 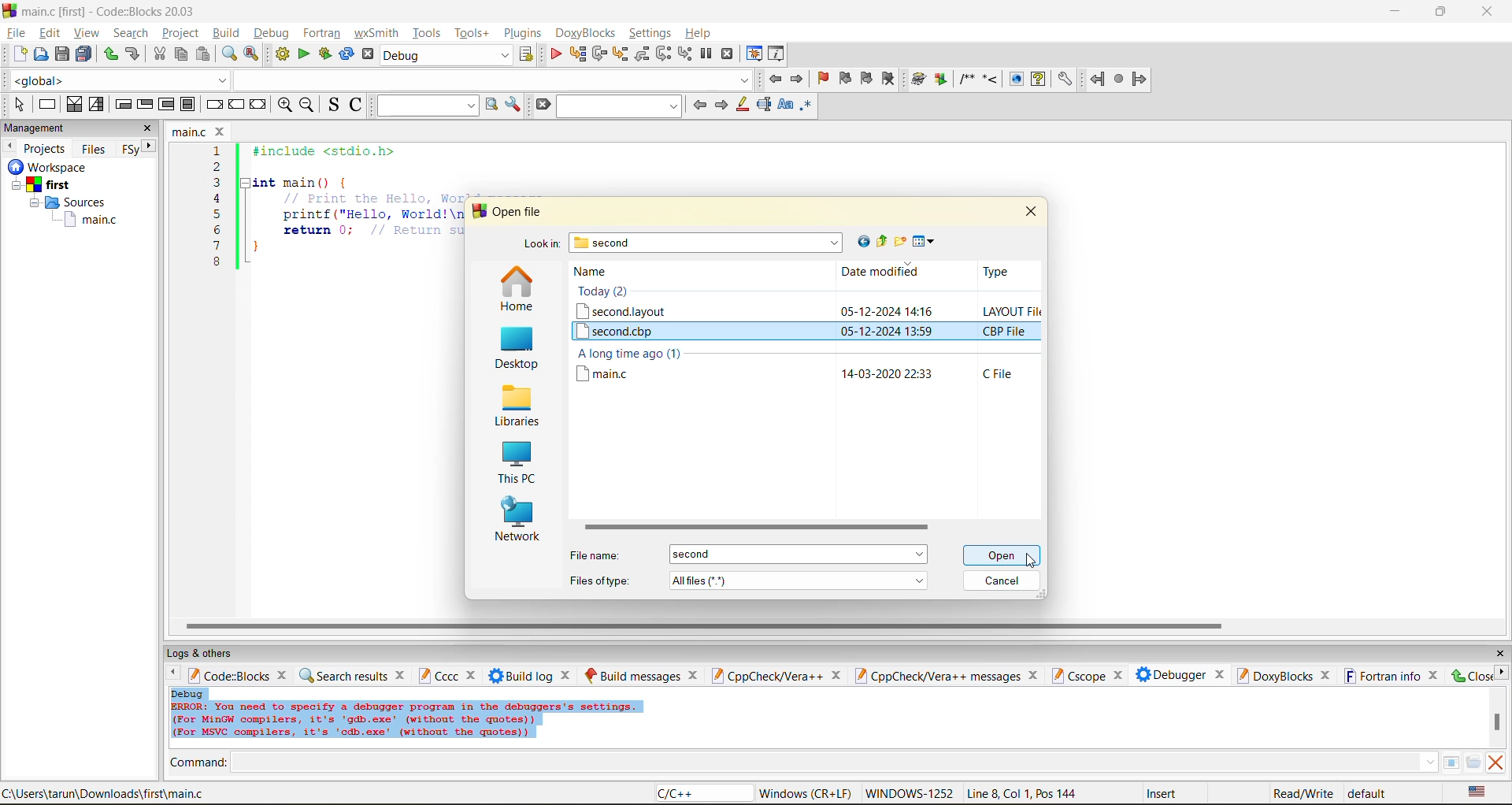 I want to click on date and time, so click(x=886, y=332).